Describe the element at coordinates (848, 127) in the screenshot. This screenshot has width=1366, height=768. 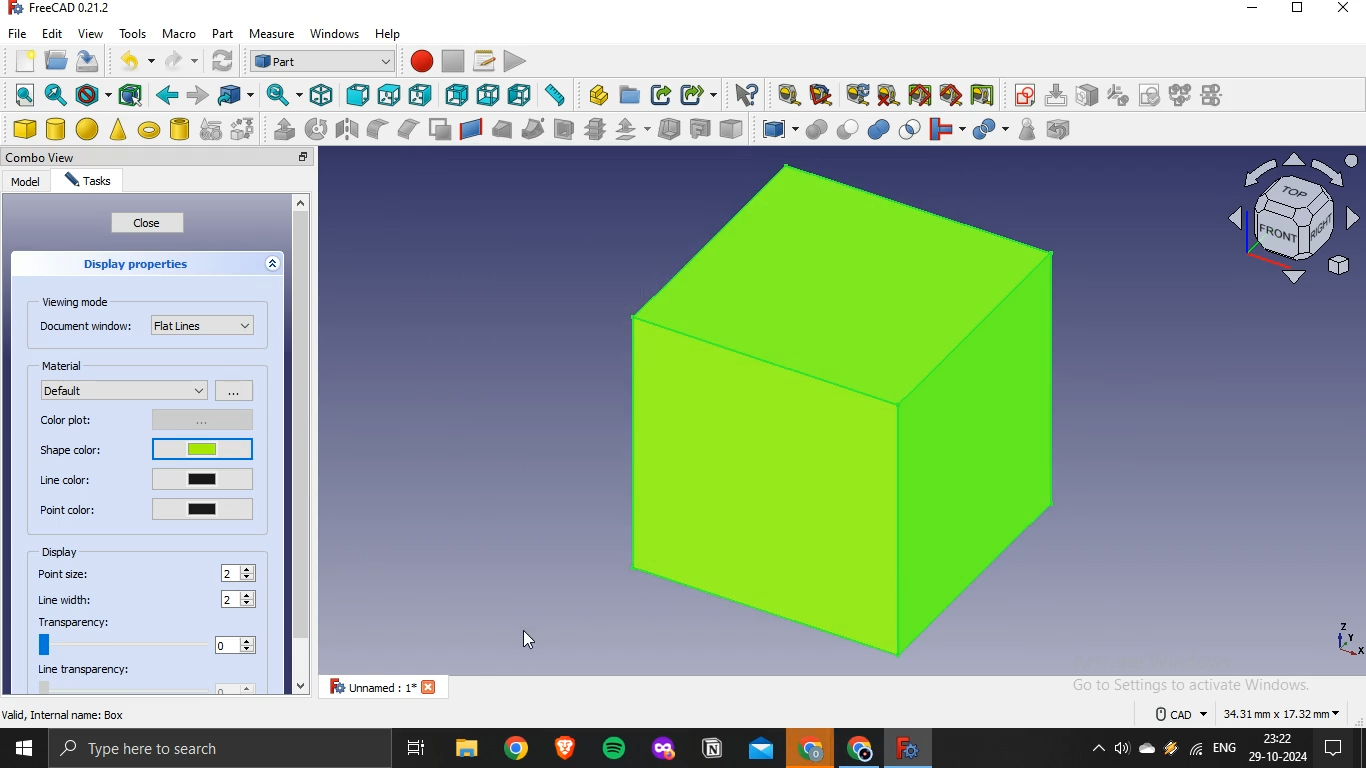
I see `cut` at that location.